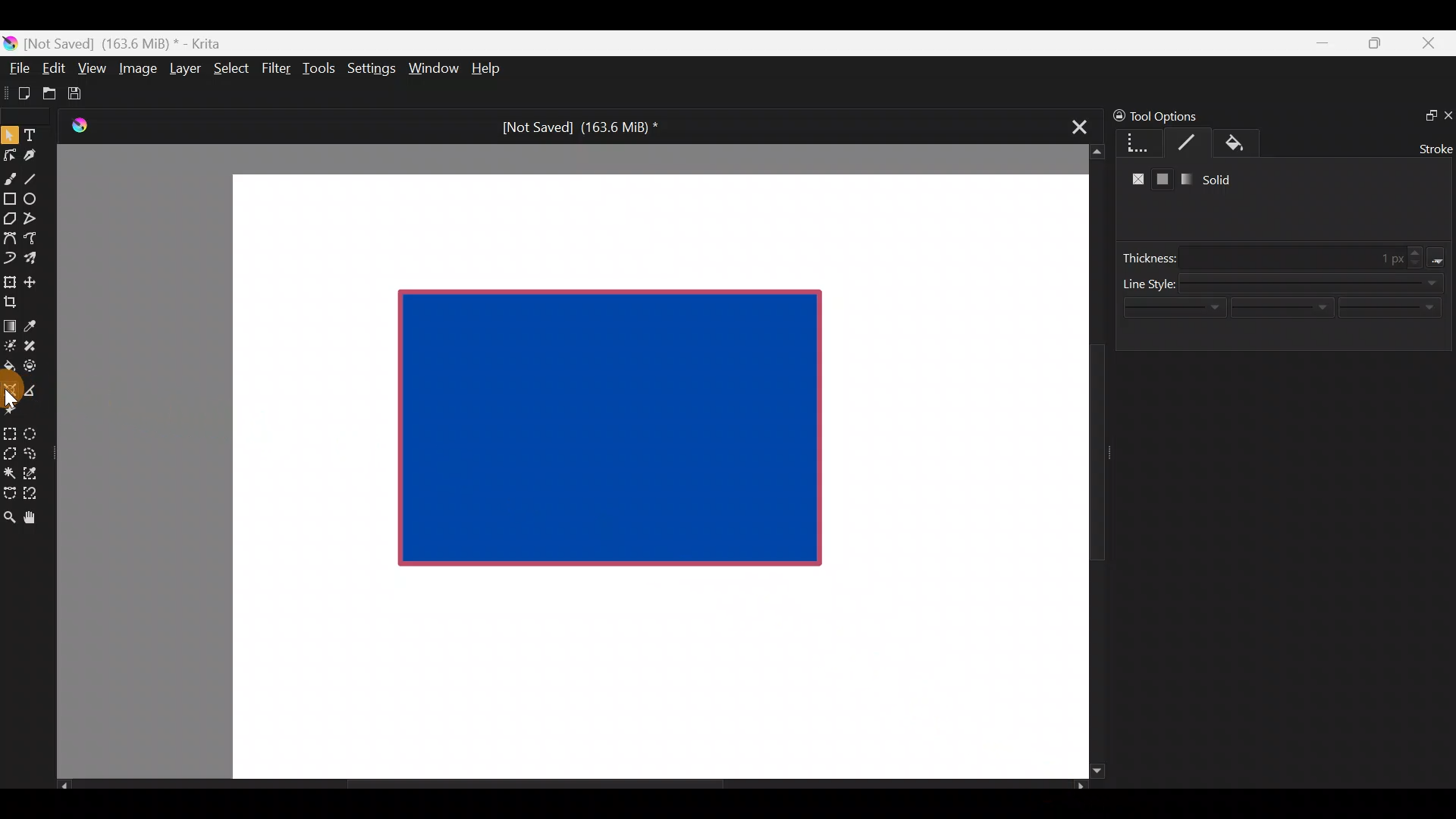 The image size is (1456, 819). I want to click on Close tab, so click(1075, 124).